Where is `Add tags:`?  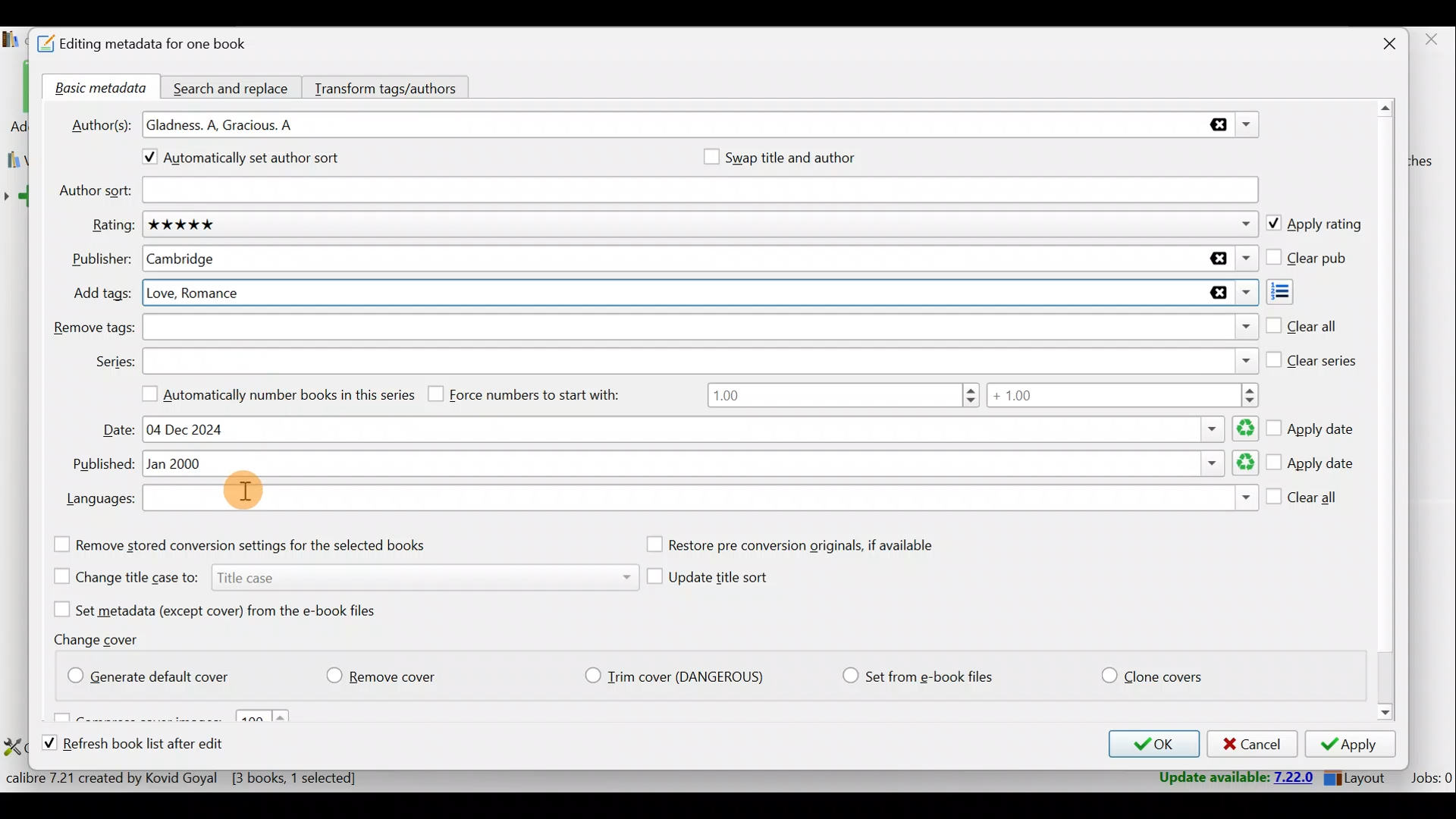 Add tags: is located at coordinates (102, 293).